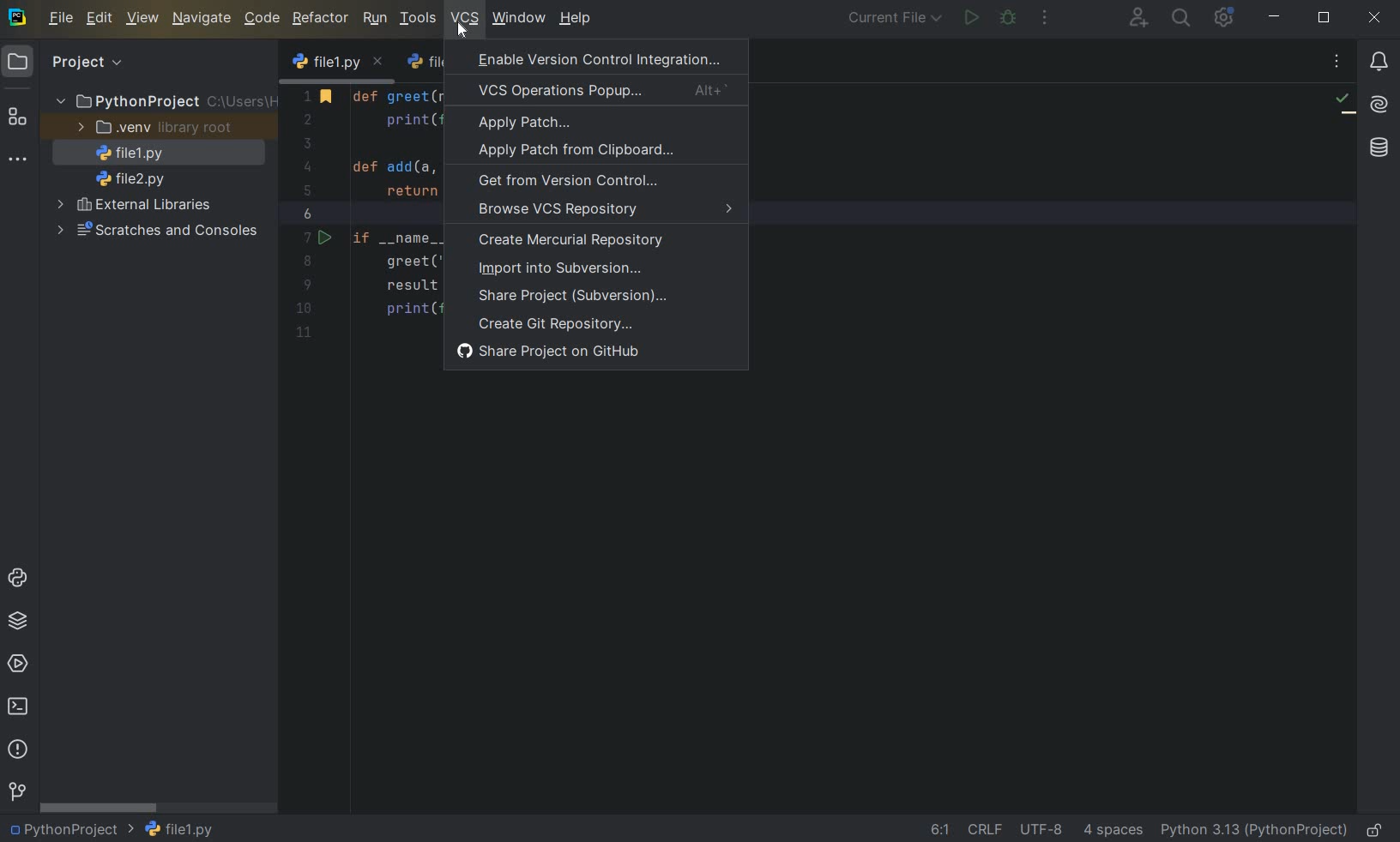  What do you see at coordinates (16, 791) in the screenshot?
I see `Version control` at bounding box center [16, 791].